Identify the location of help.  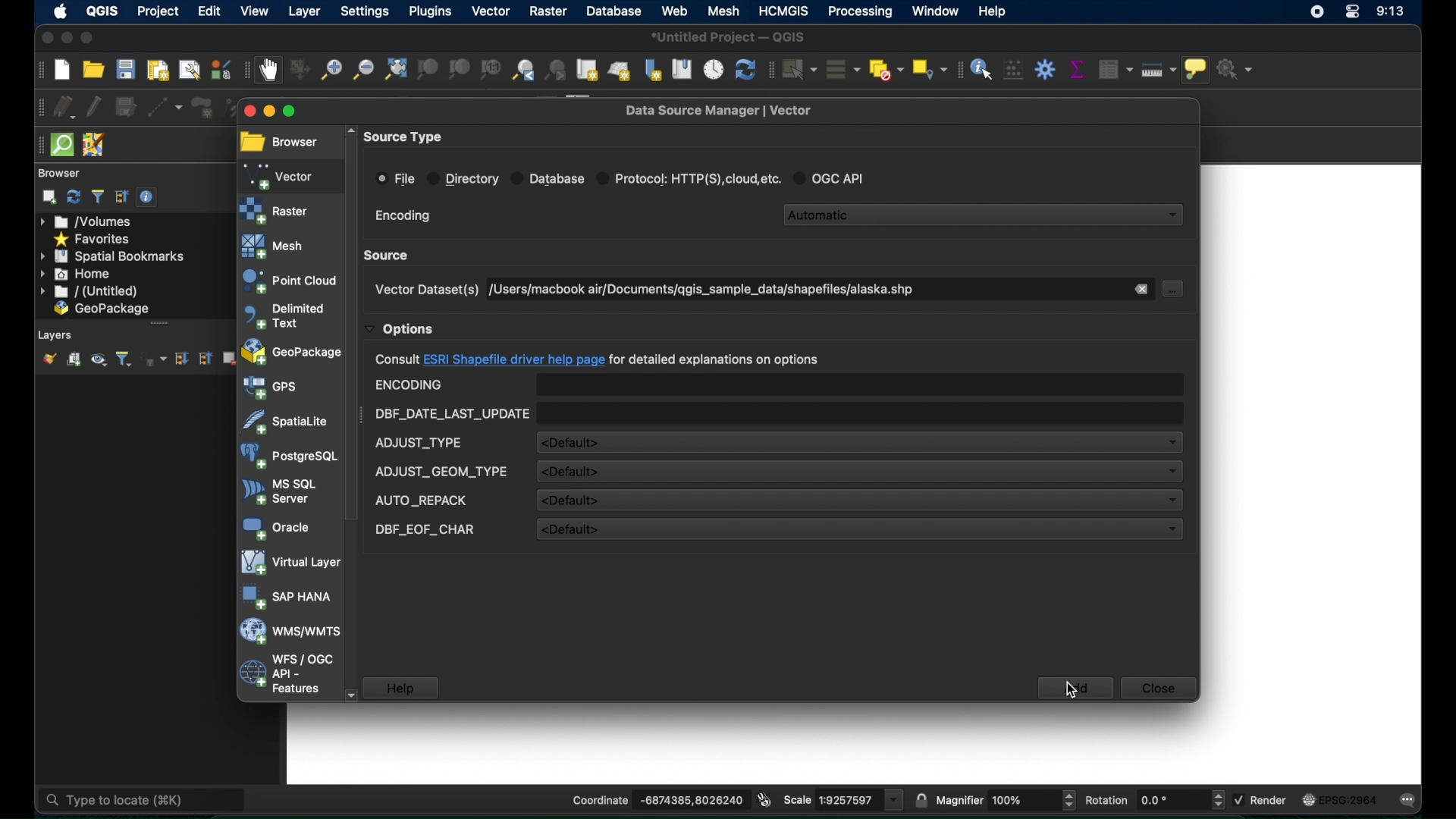
(998, 12).